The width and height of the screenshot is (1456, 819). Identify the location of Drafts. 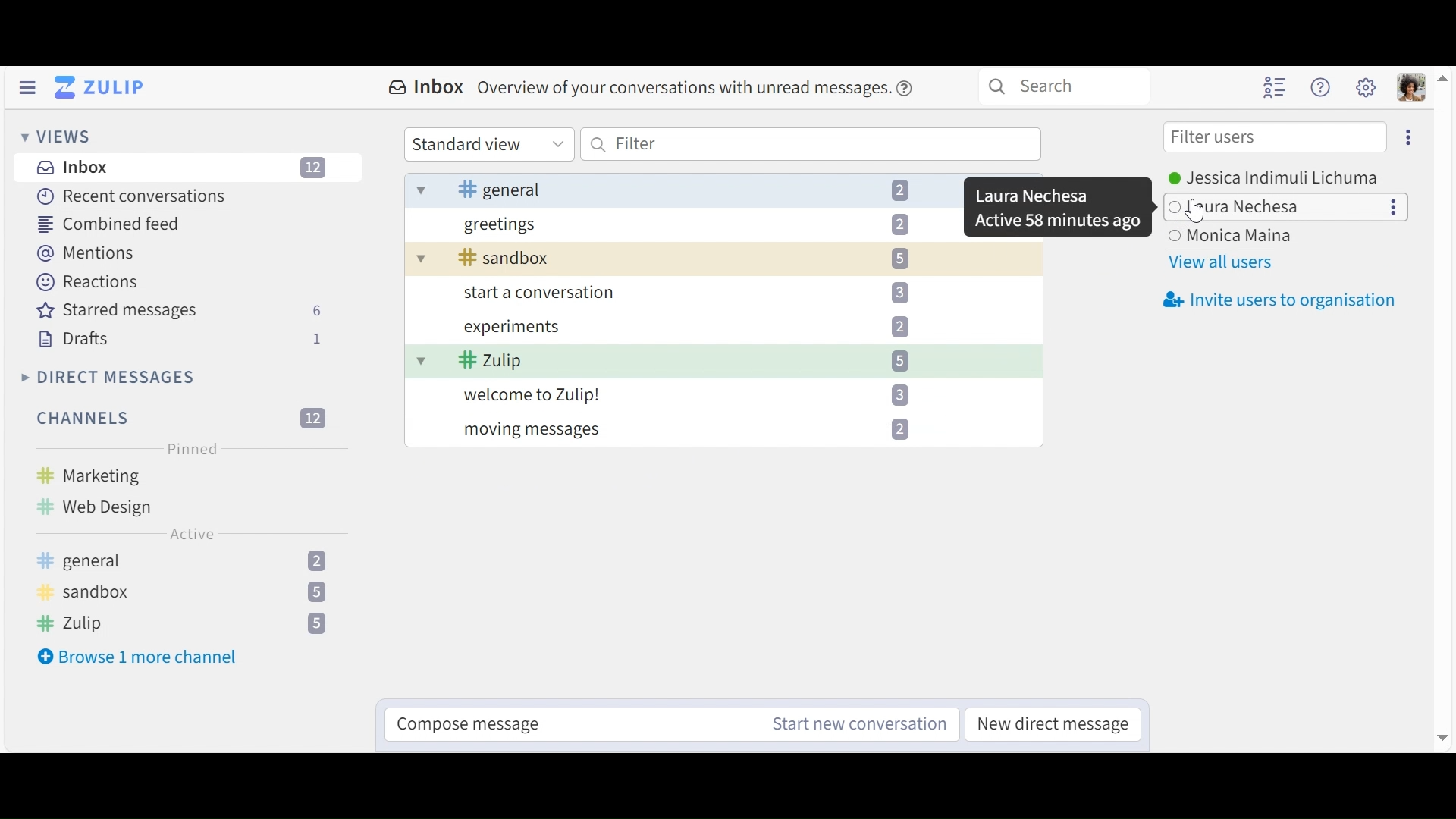
(179, 339).